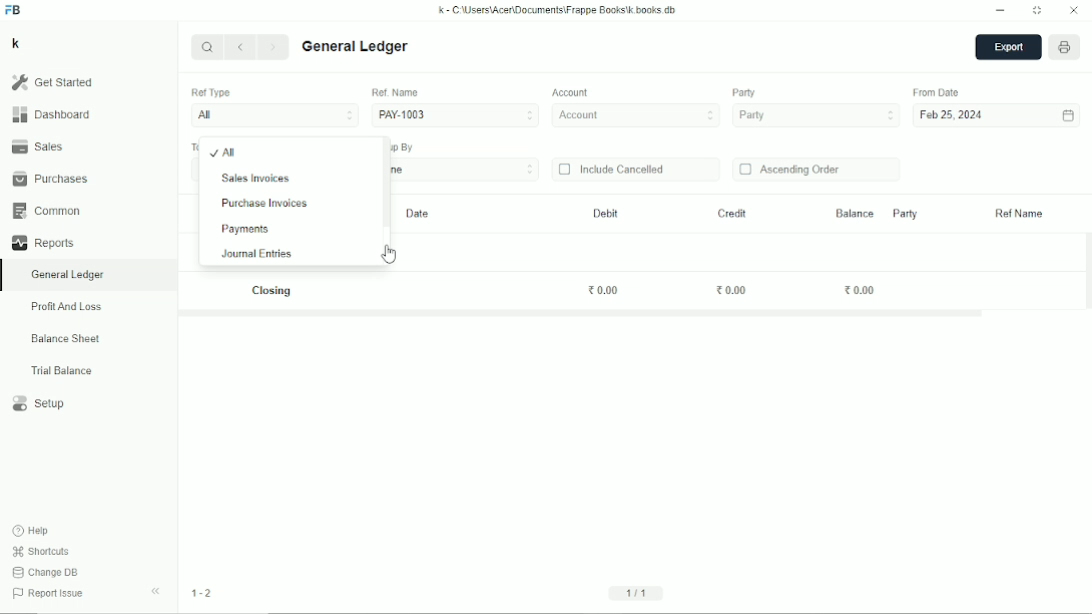 This screenshot has width=1092, height=614. Describe the element at coordinates (1065, 48) in the screenshot. I see `Open report print view` at that location.